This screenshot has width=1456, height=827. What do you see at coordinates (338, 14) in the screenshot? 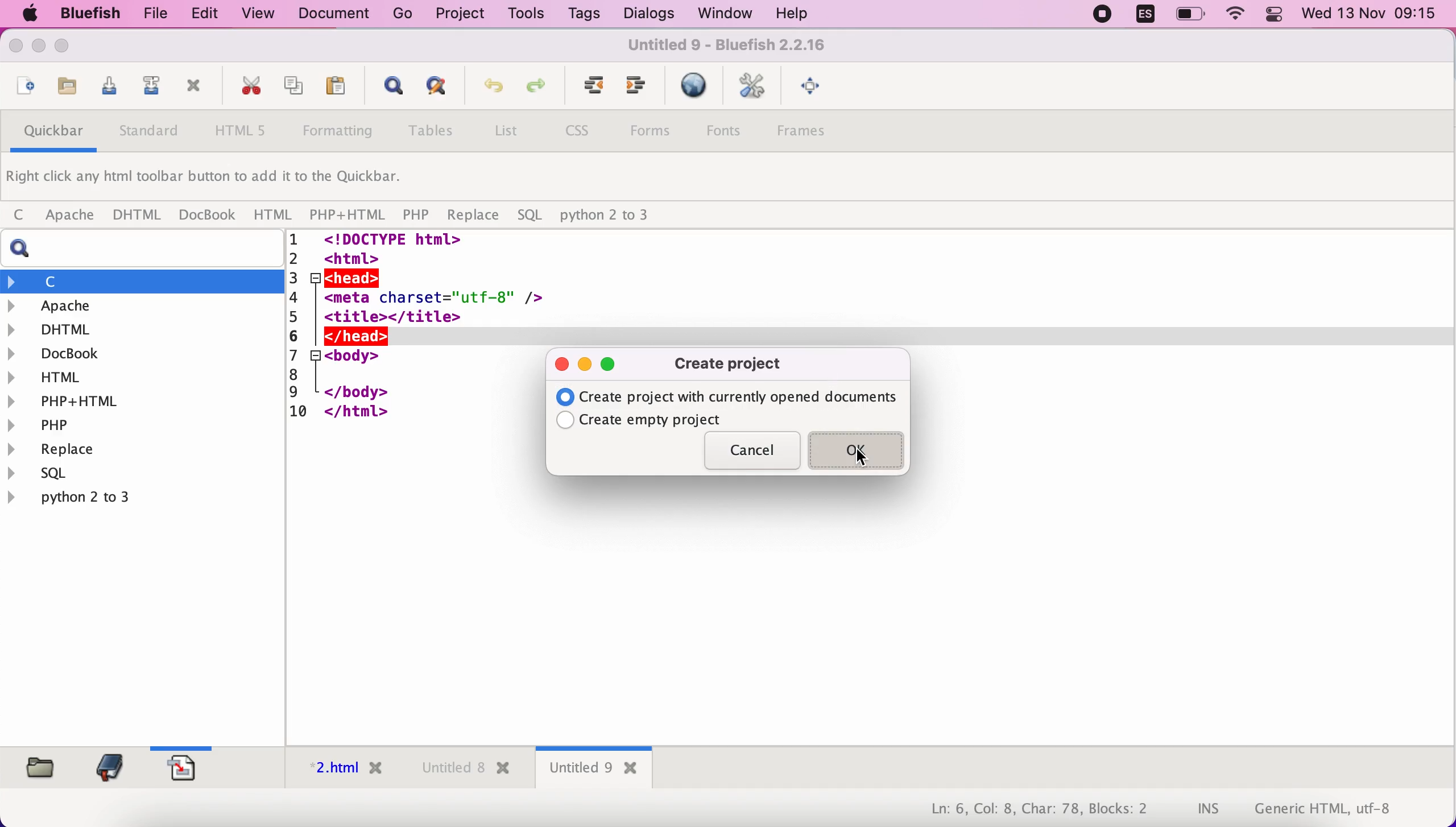
I see `document` at bounding box center [338, 14].